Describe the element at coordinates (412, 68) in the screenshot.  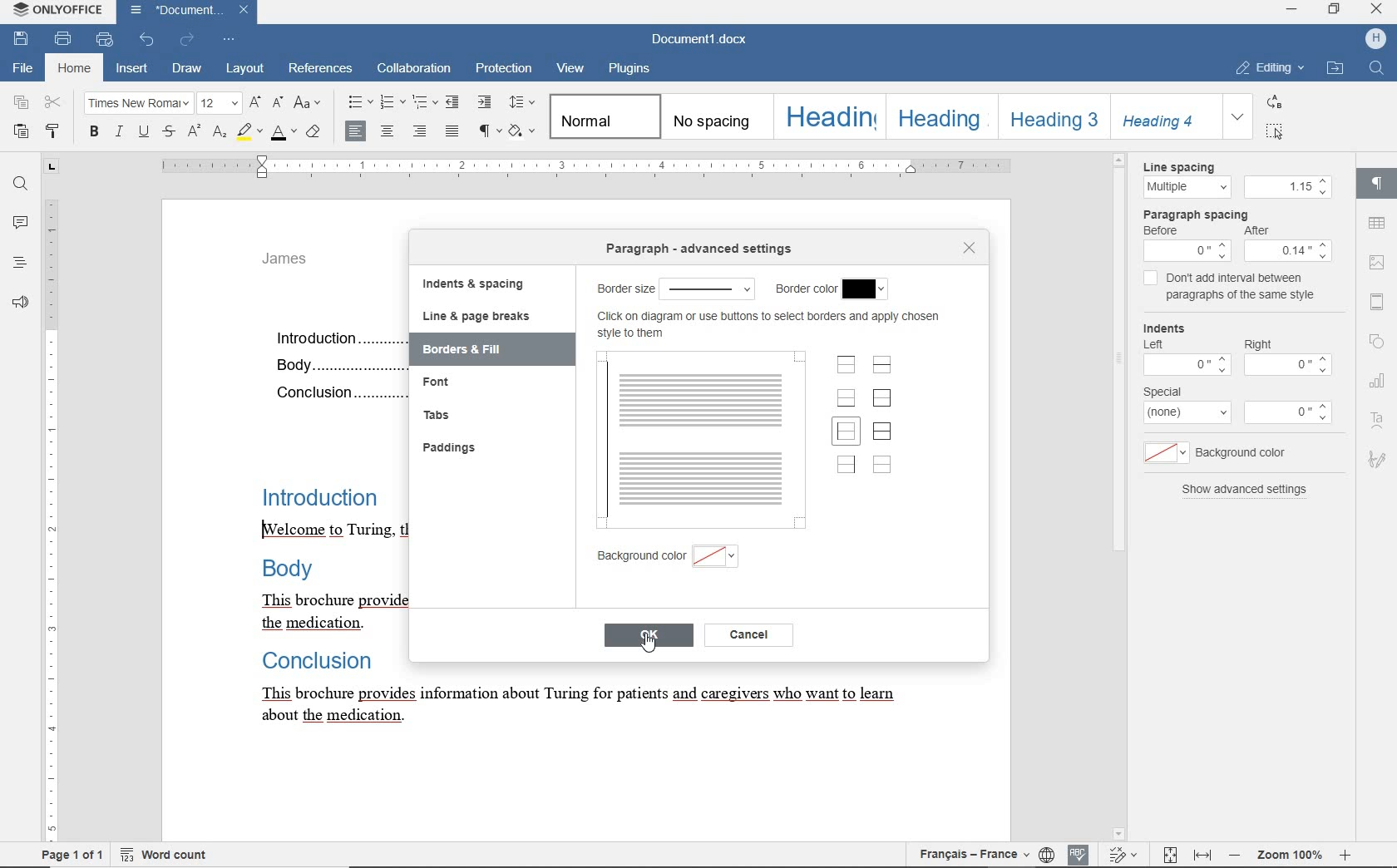
I see `collaboration` at that location.